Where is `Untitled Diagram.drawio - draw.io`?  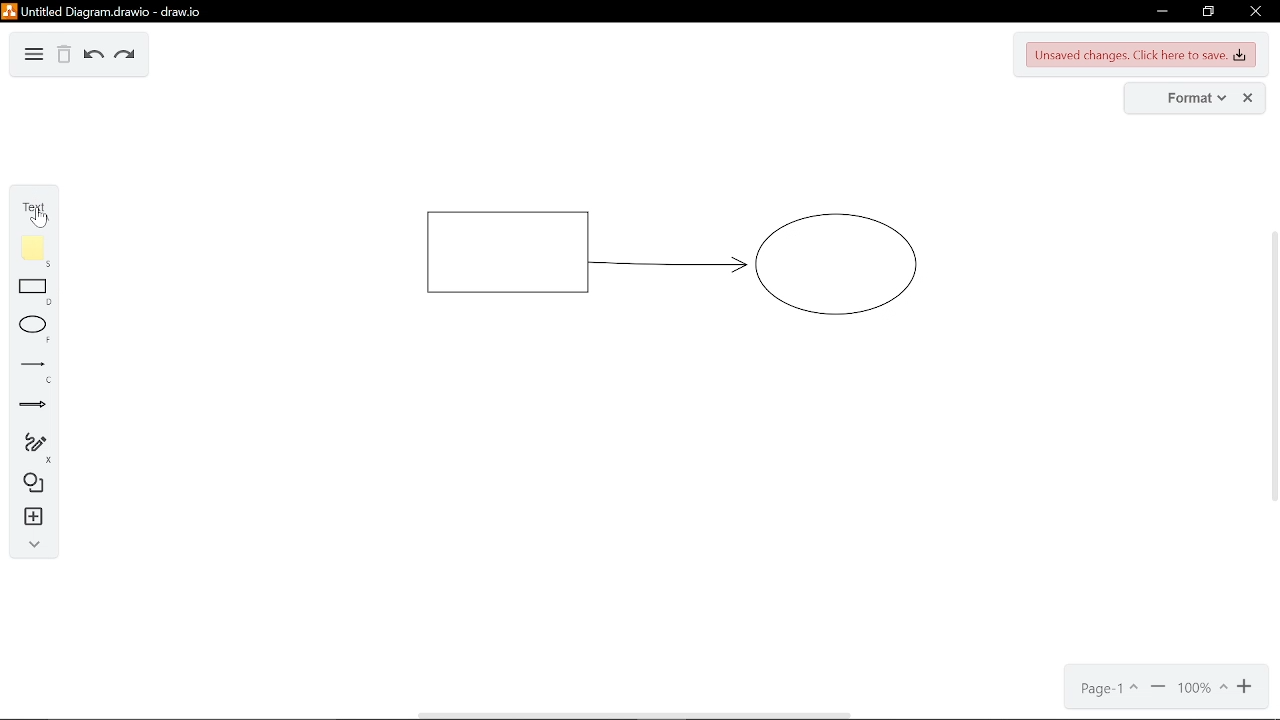
Untitled Diagram.drawio - draw.io is located at coordinates (102, 10).